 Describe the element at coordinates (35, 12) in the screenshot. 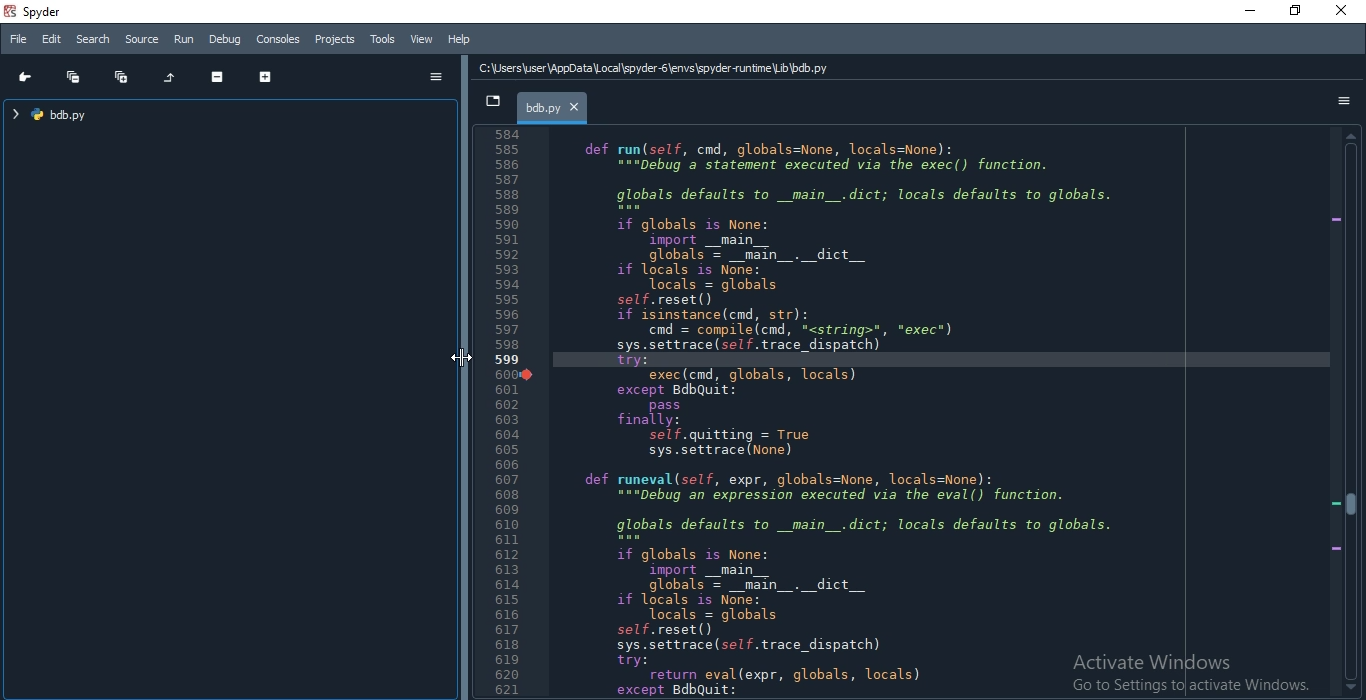

I see `spyder` at that location.